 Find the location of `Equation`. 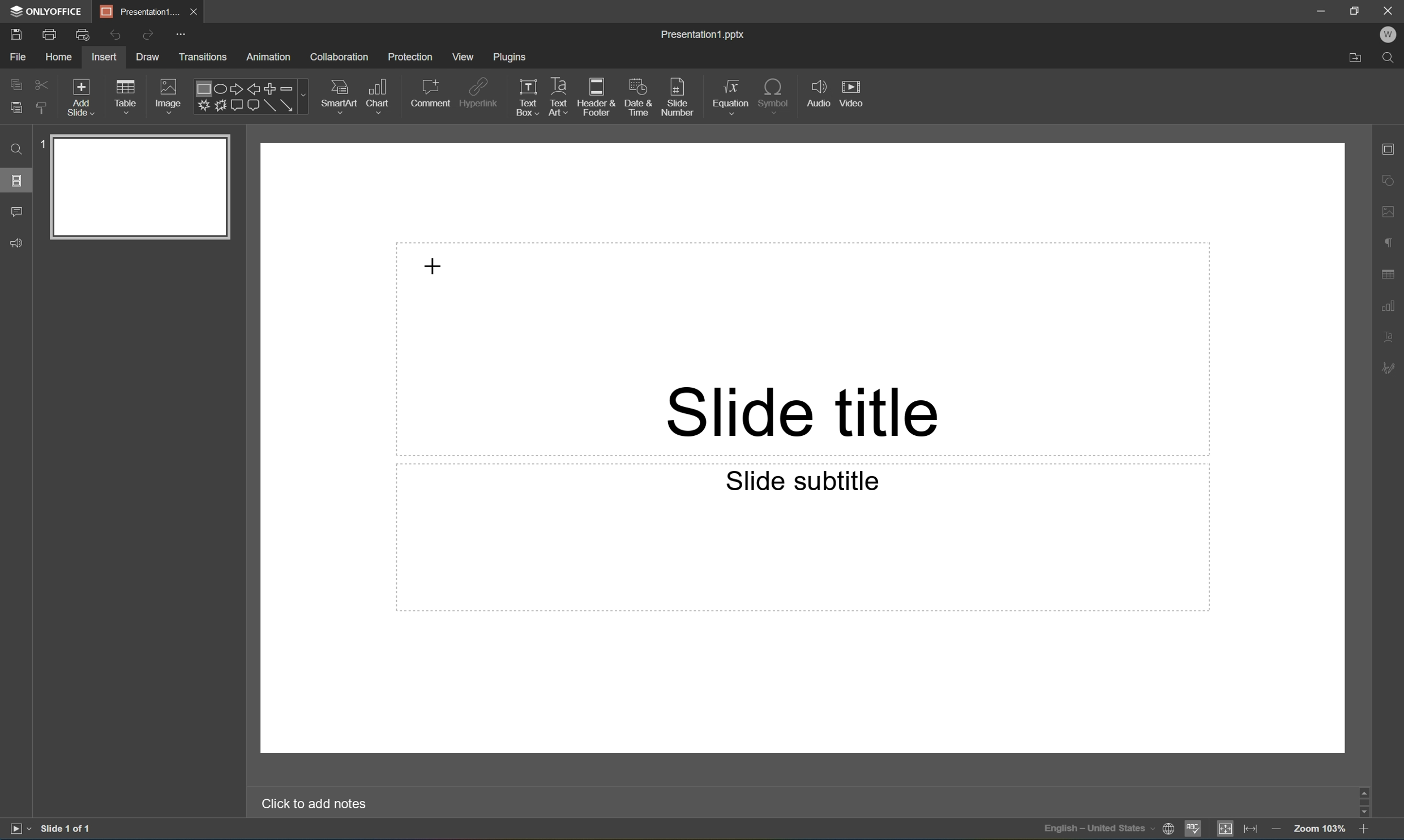

Equation is located at coordinates (731, 93).